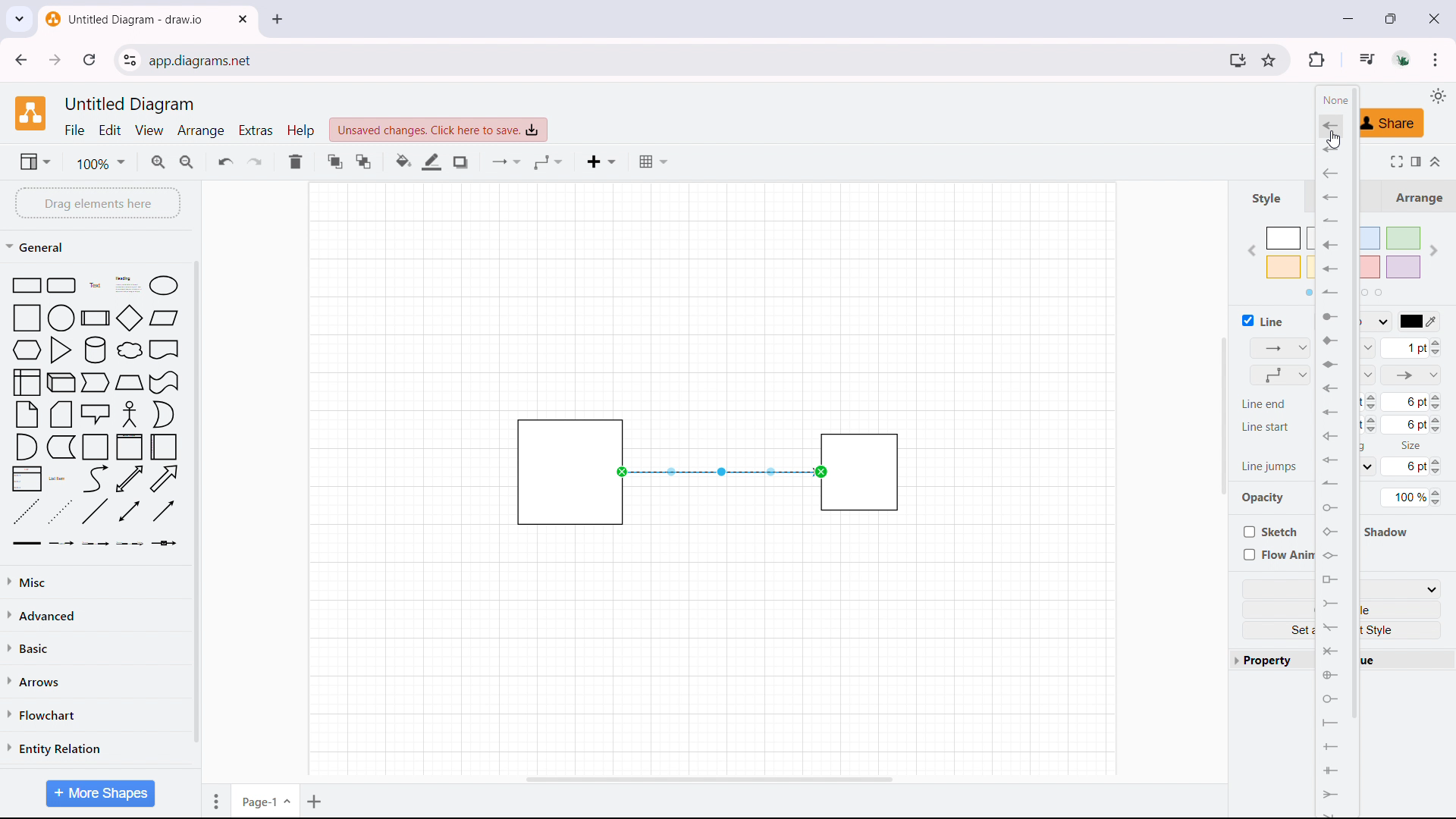  I want to click on click to save, so click(438, 130).